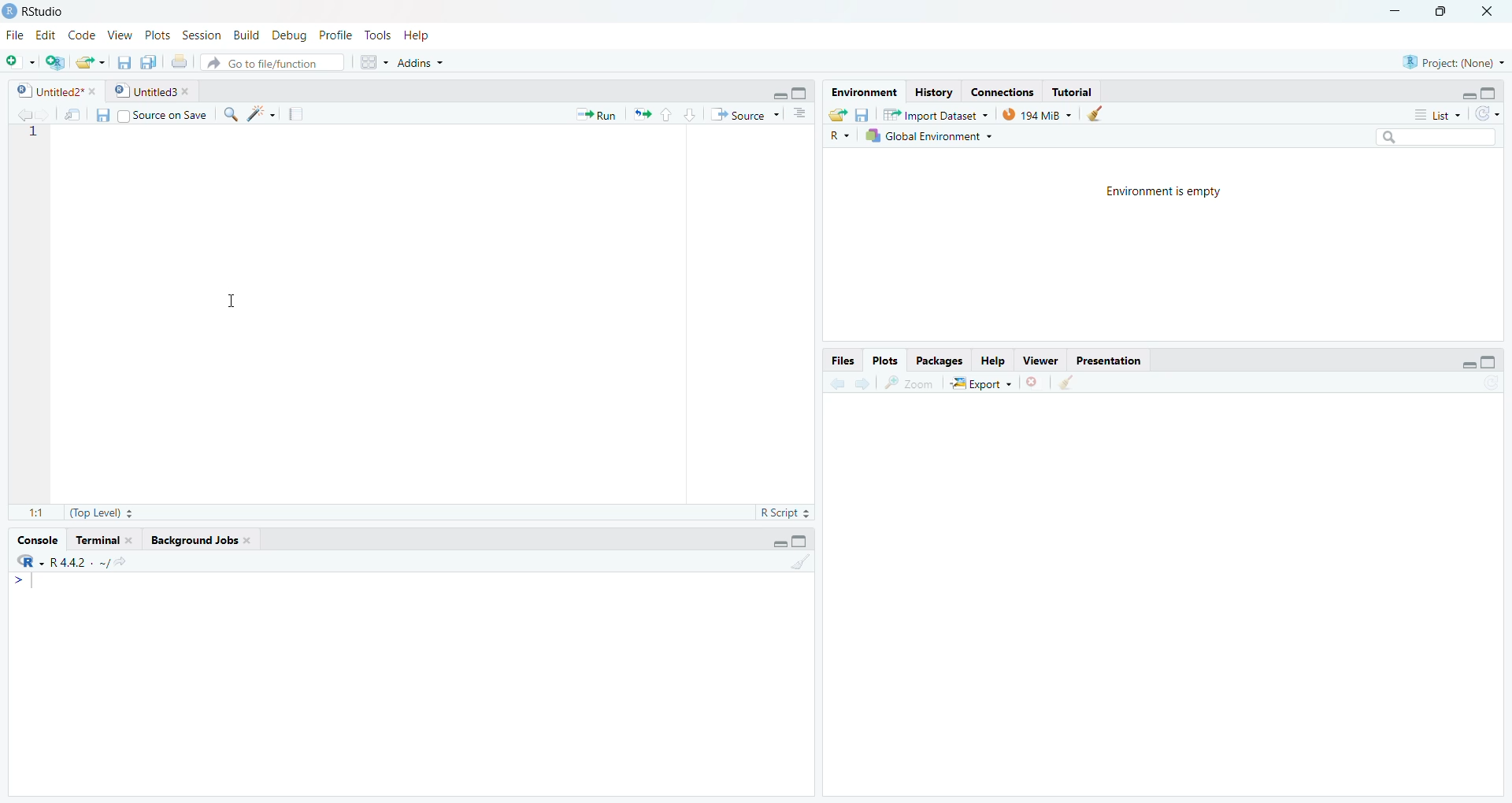 Image resolution: width=1512 pixels, height=803 pixels. Describe the element at coordinates (1077, 92) in the screenshot. I see `Tutorial` at that location.